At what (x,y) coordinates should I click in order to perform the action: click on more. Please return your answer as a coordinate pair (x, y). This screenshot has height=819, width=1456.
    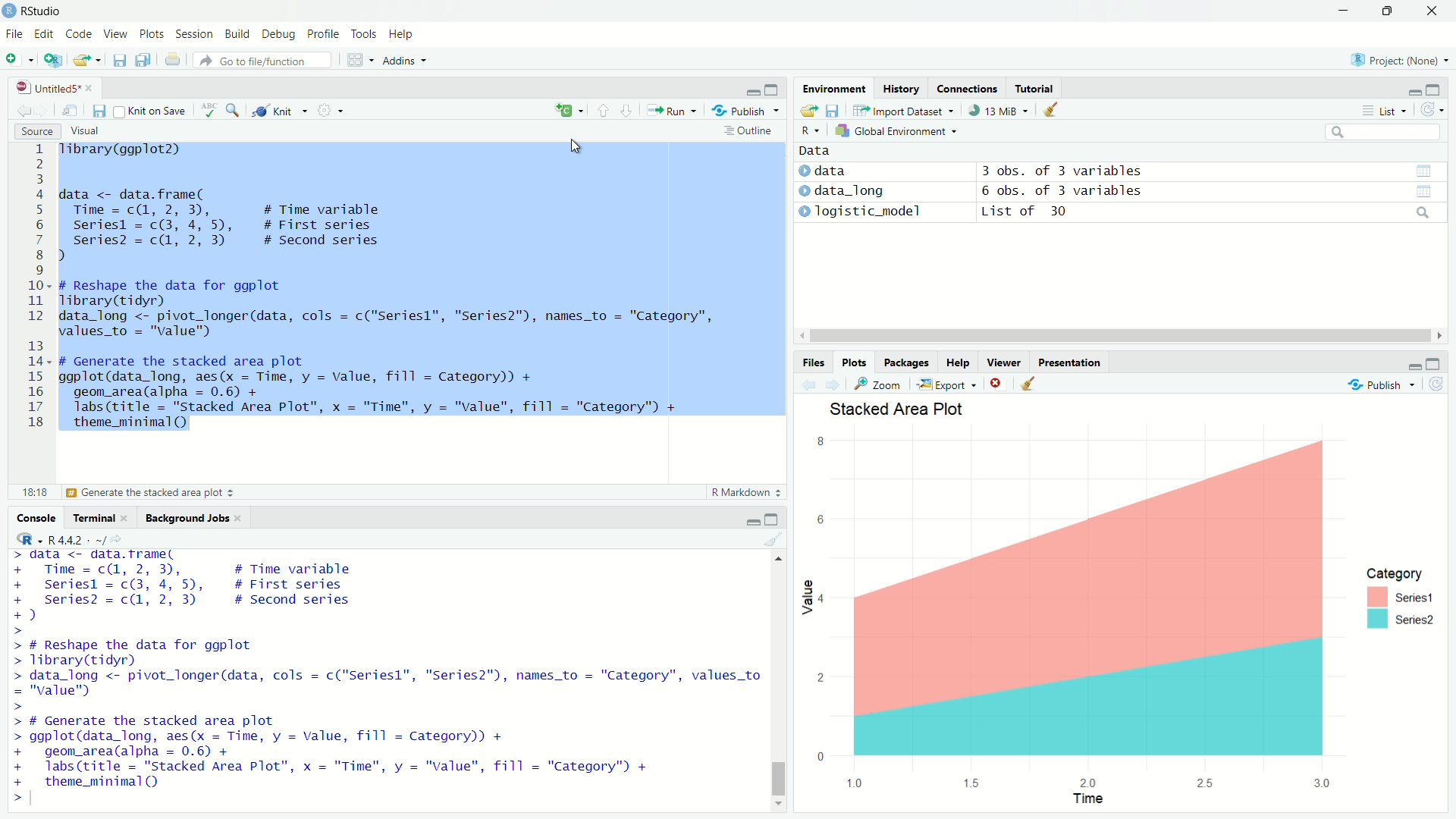
    Looking at the image, I should click on (1366, 113).